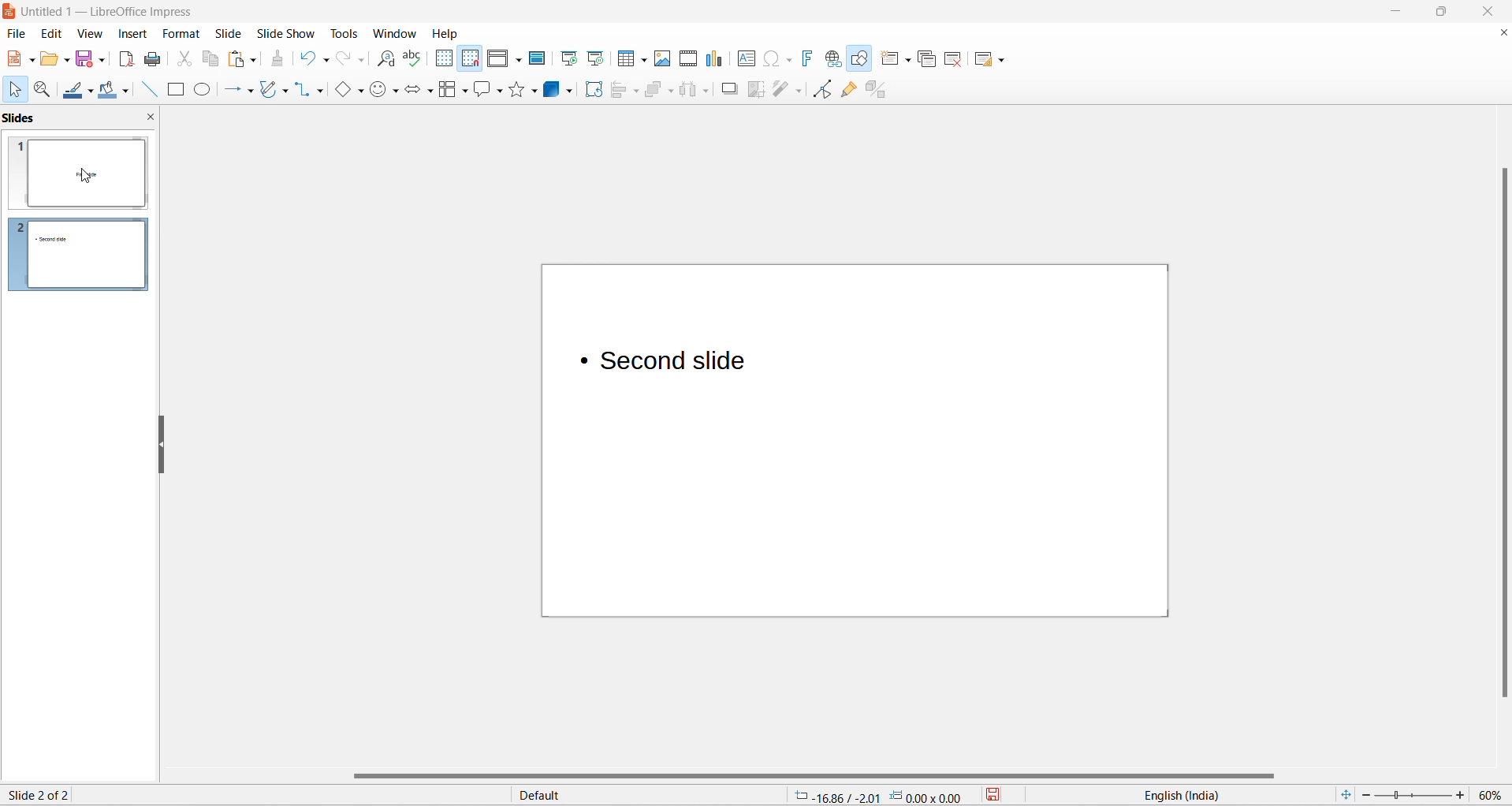 The height and width of the screenshot is (806, 1512). I want to click on , so click(15, 91).